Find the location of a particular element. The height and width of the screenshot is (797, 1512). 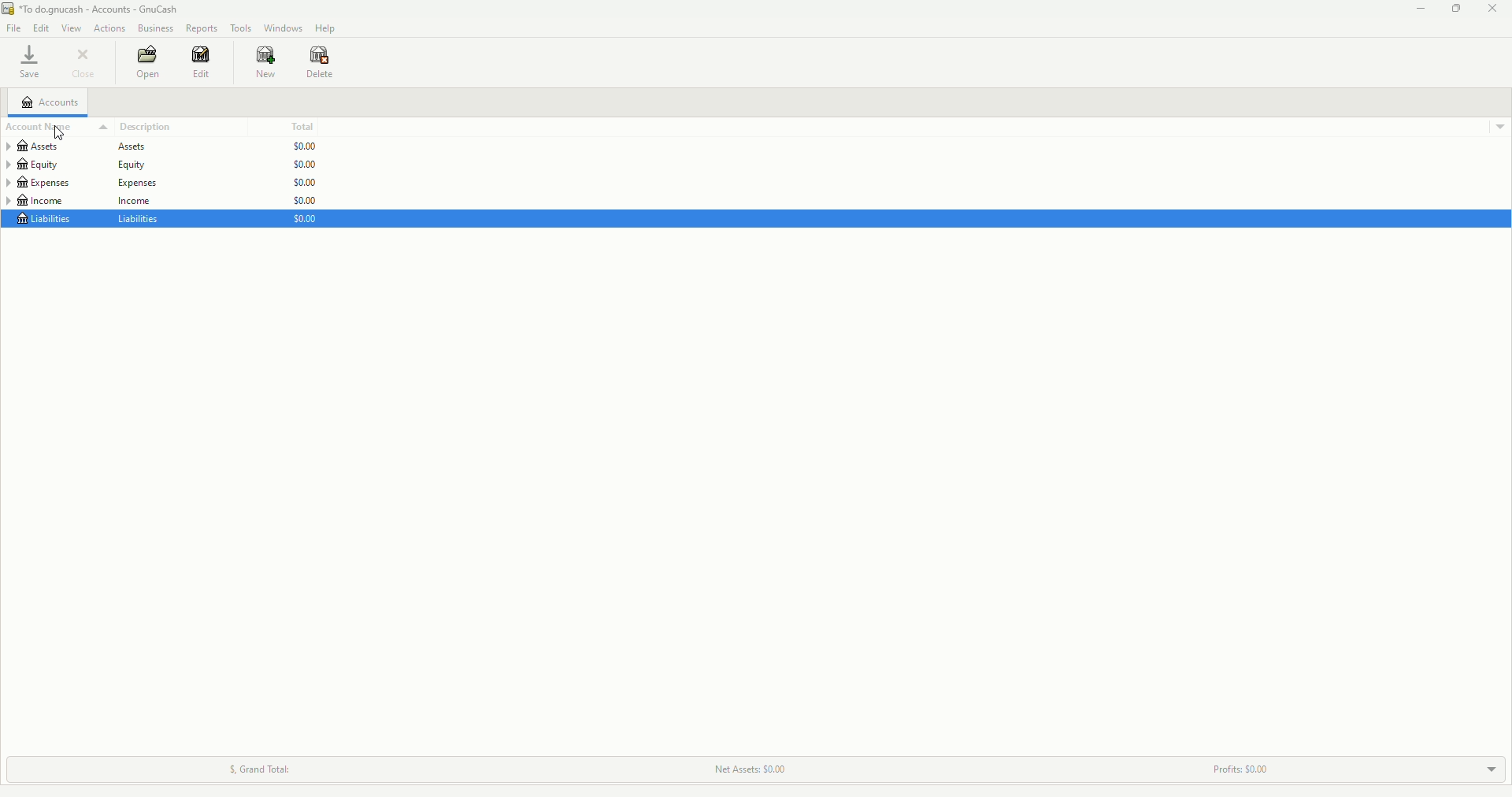

Total is located at coordinates (301, 125).